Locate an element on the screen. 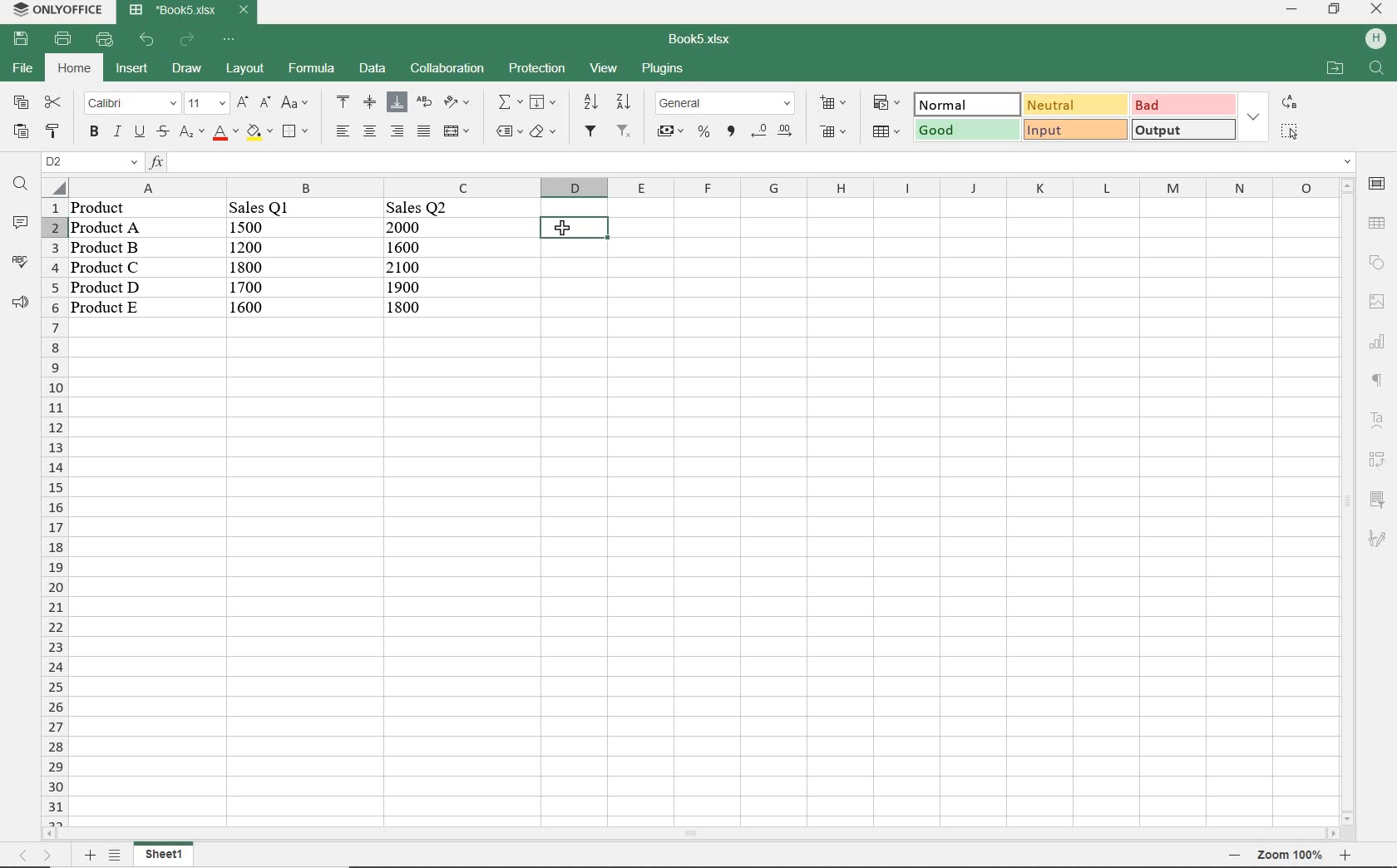  output is located at coordinates (1184, 131).